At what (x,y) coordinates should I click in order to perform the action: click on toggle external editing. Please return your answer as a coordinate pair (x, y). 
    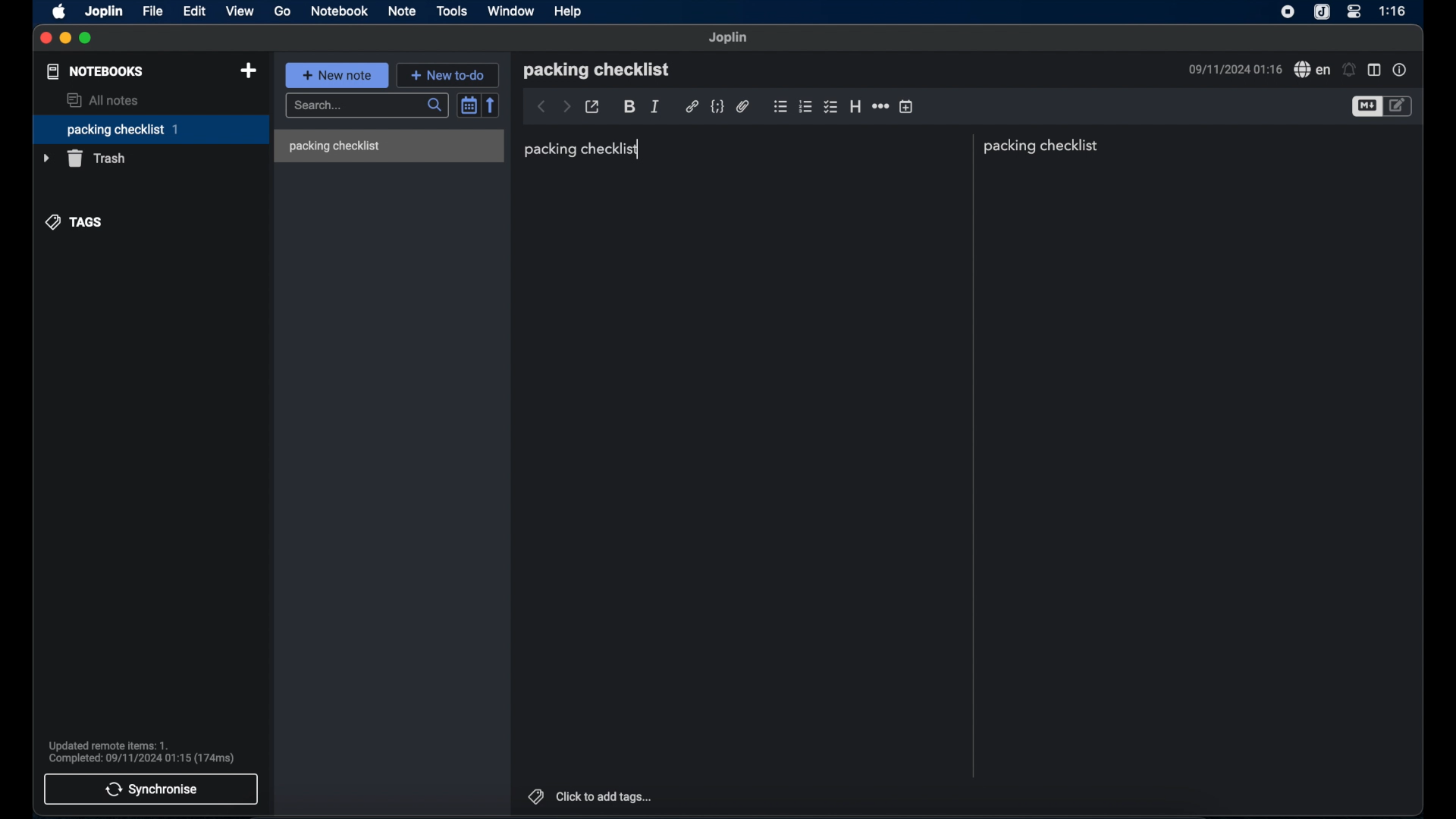
    Looking at the image, I should click on (593, 107).